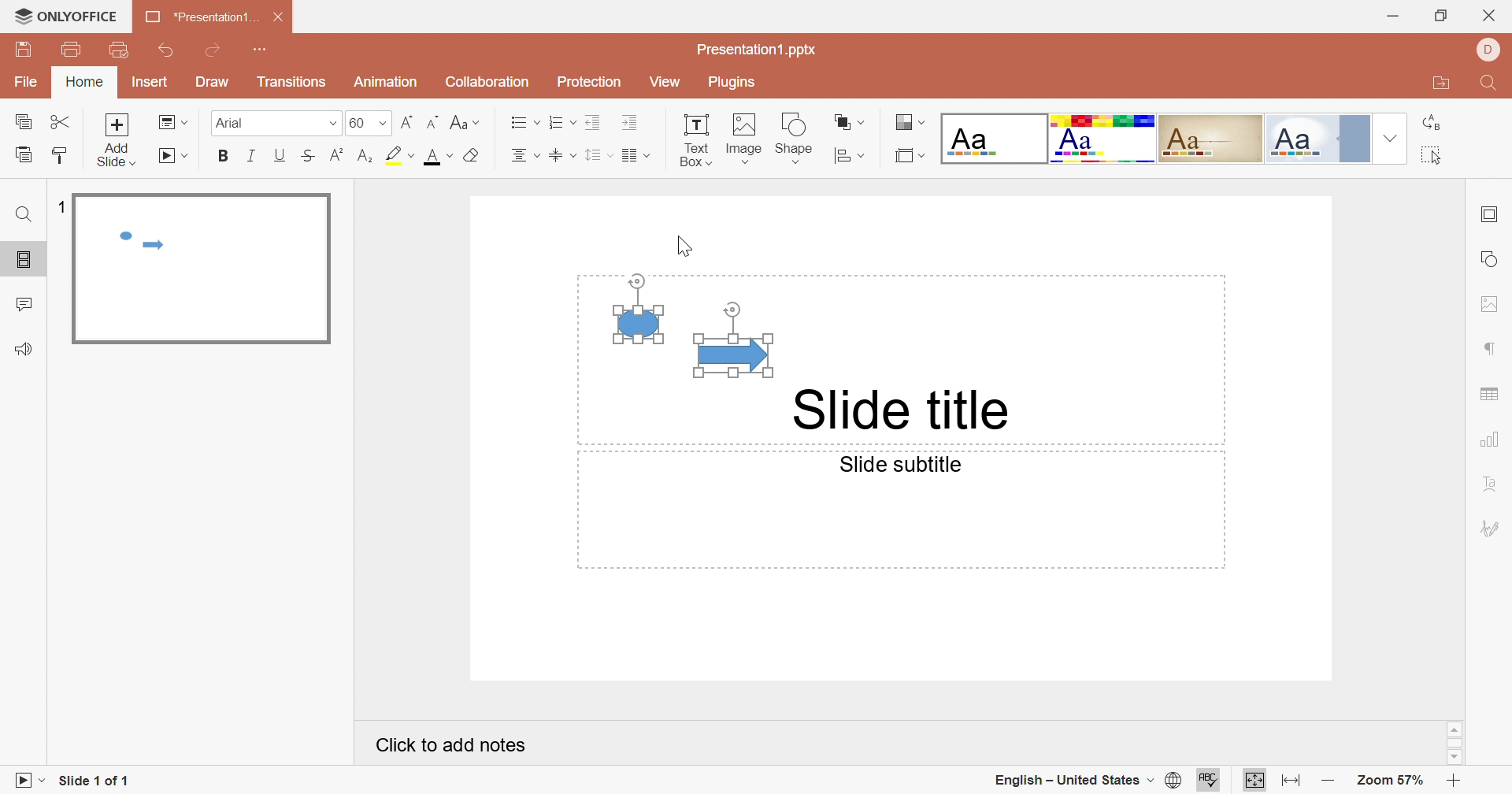 The image size is (1512, 794). Describe the element at coordinates (1487, 84) in the screenshot. I see `Find` at that location.